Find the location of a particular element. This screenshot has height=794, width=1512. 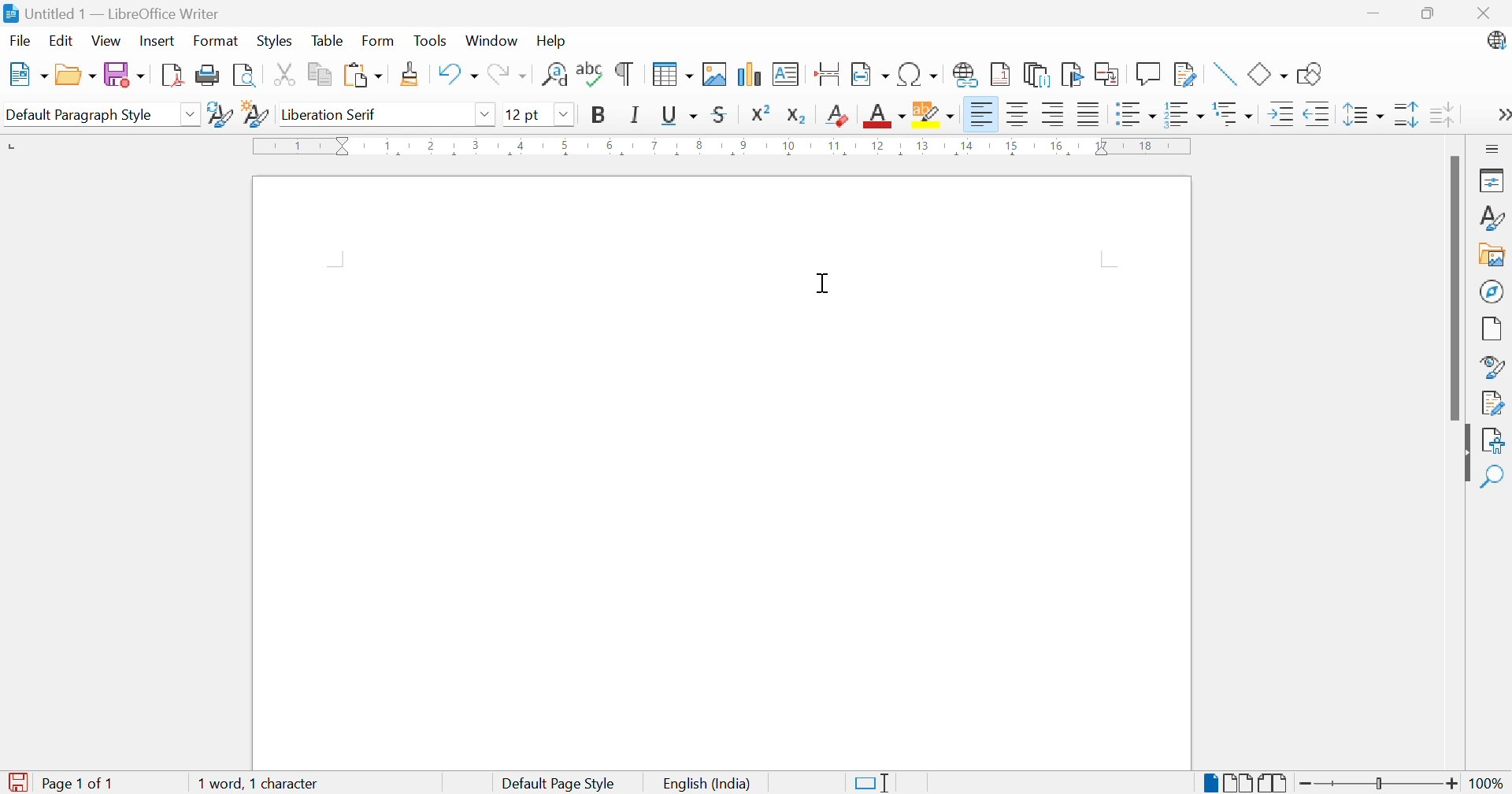

Decrease Paragraph Spacing is located at coordinates (1440, 113).